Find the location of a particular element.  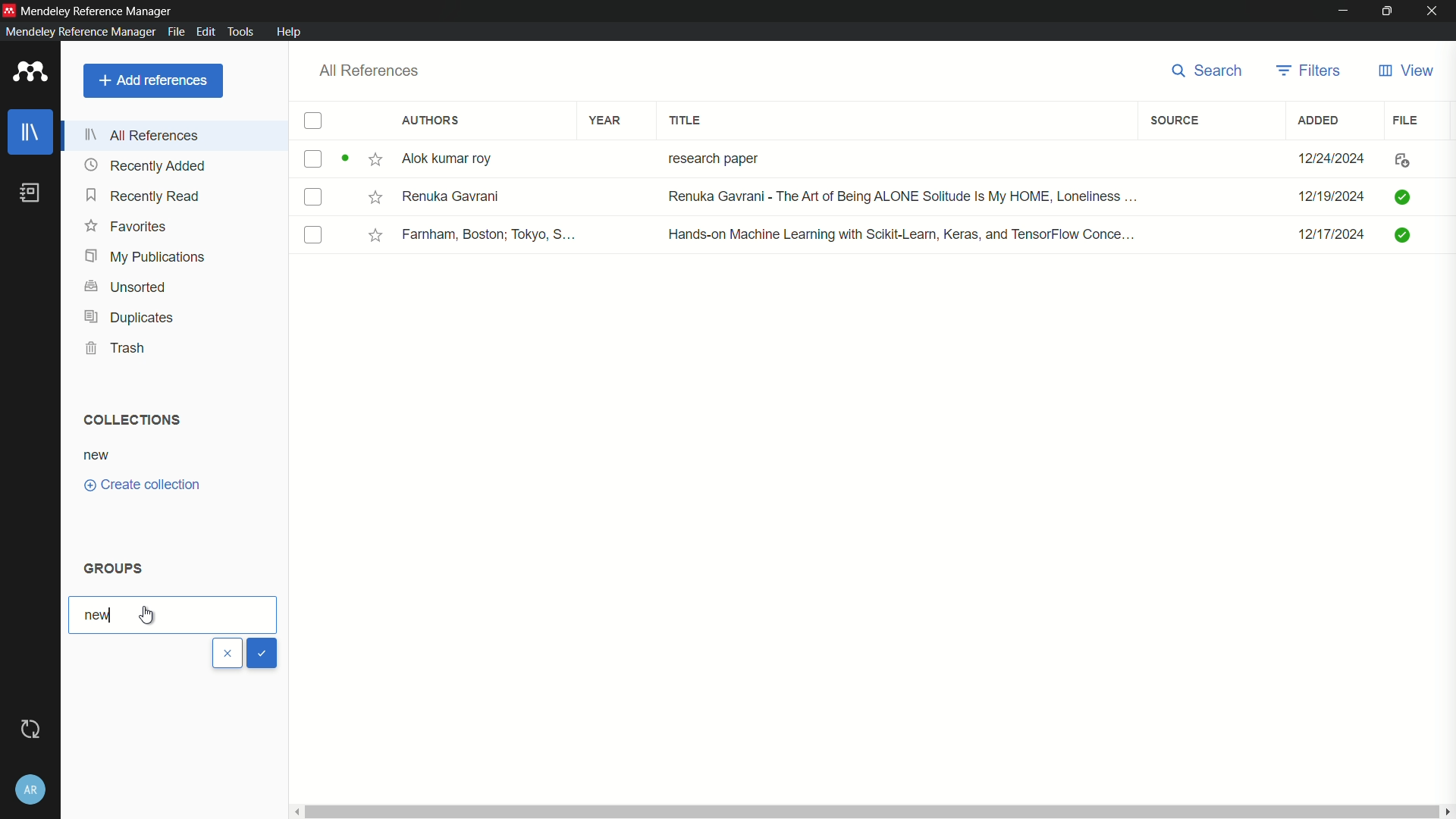

tools menu is located at coordinates (240, 31).